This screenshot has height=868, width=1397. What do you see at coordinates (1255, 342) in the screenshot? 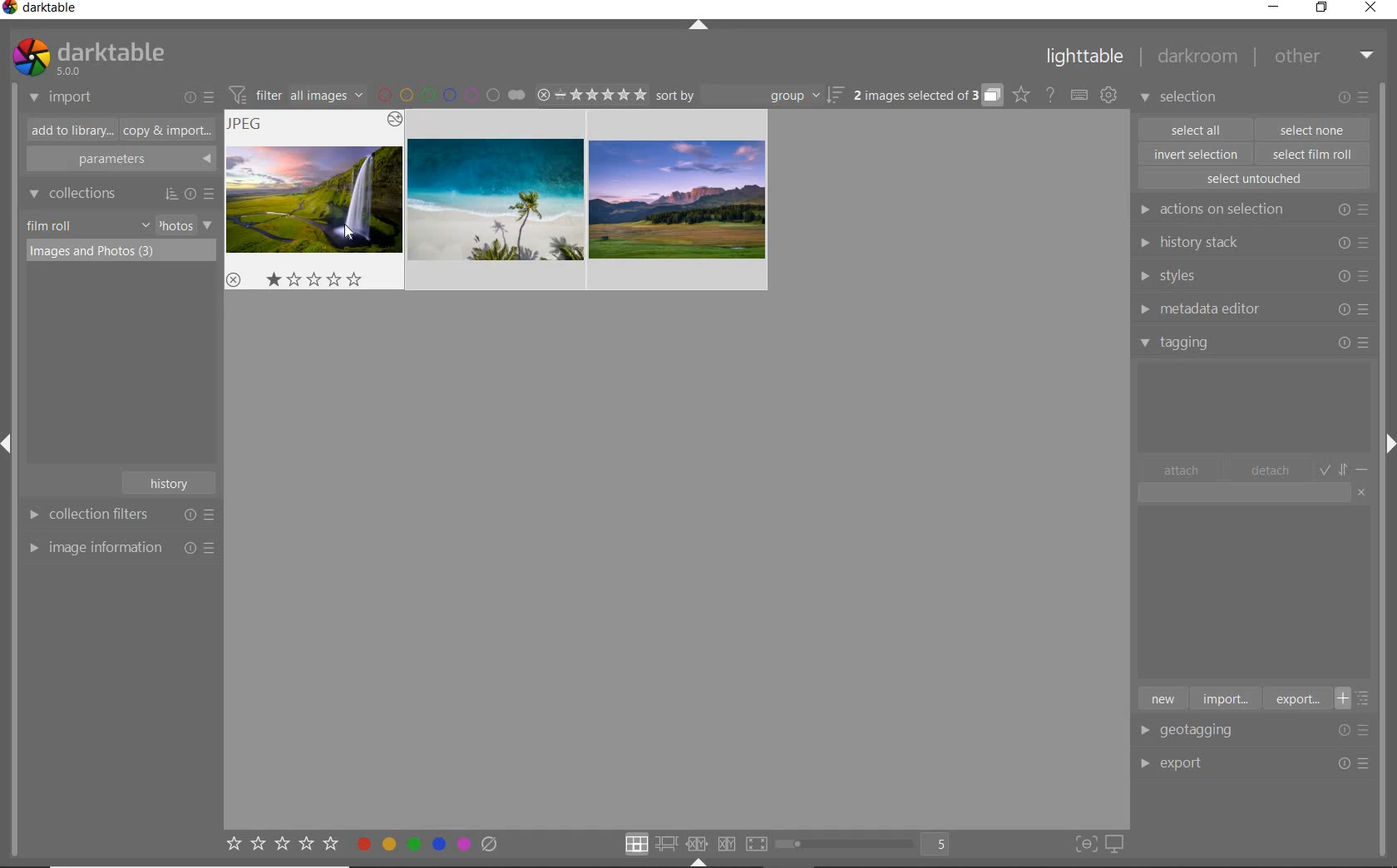
I see `tagging` at bounding box center [1255, 342].